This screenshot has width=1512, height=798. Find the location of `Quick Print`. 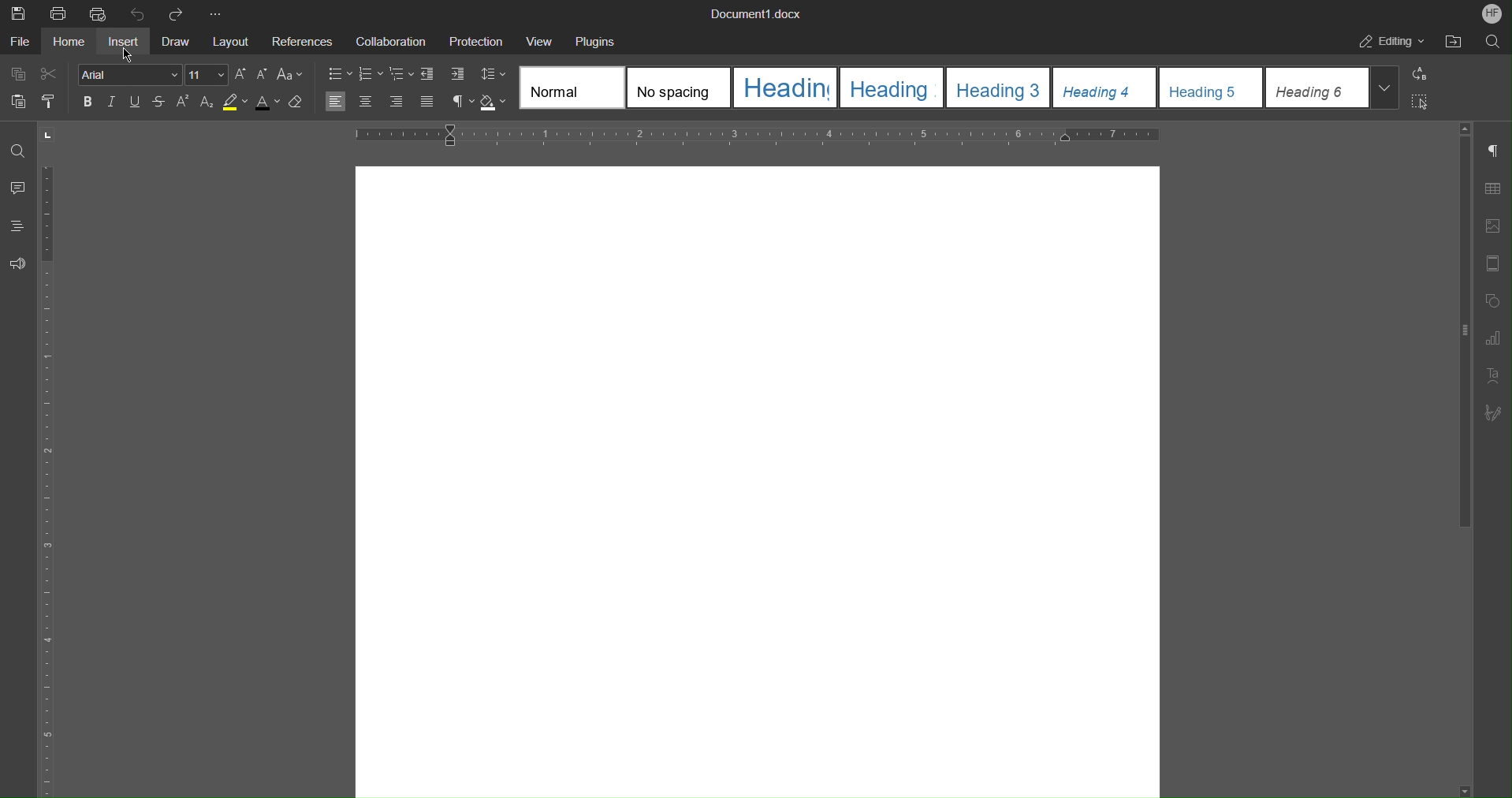

Quick Print is located at coordinates (99, 13).